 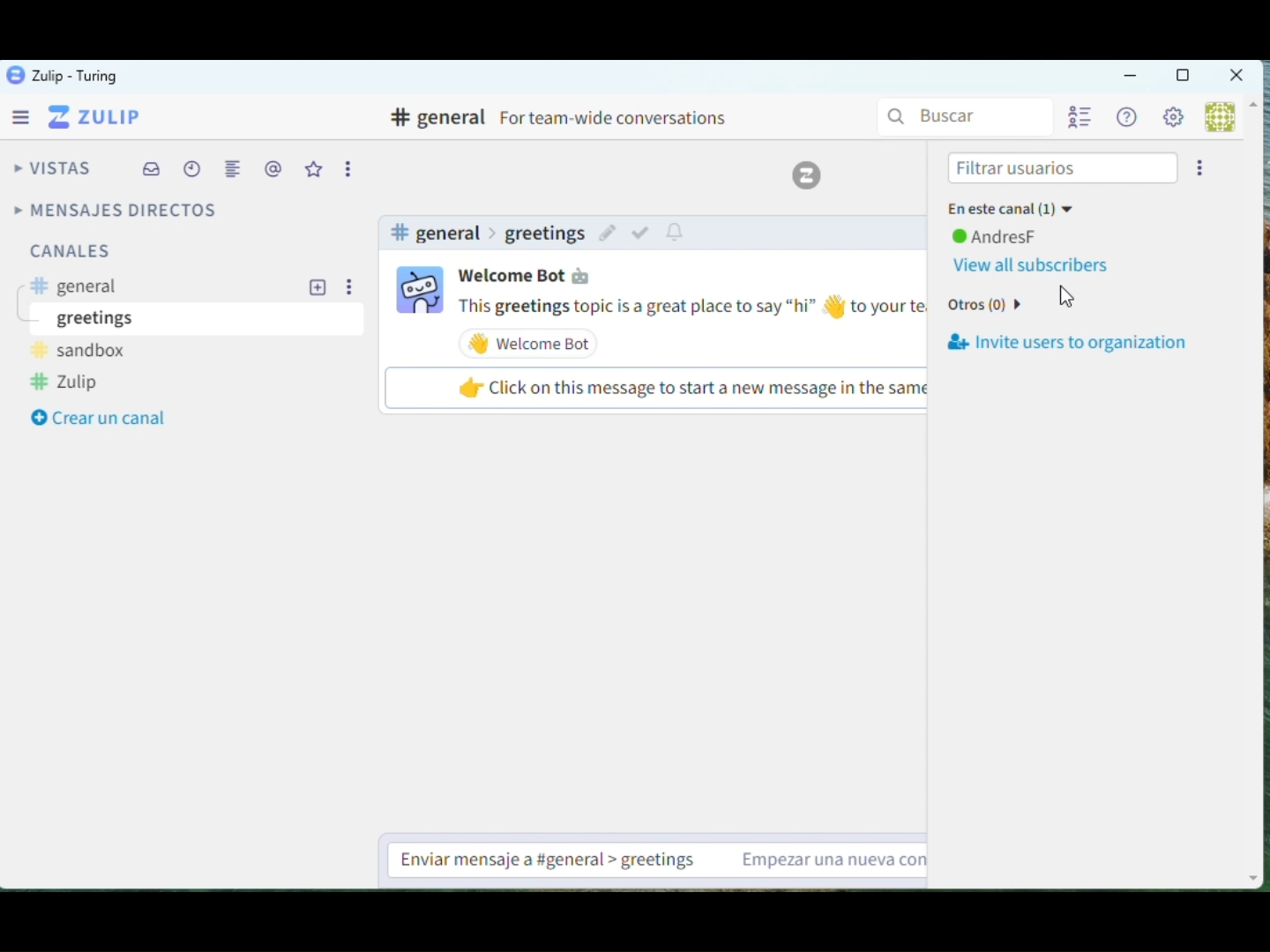 What do you see at coordinates (273, 168) in the screenshot?
I see `Mentions` at bounding box center [273, 168].